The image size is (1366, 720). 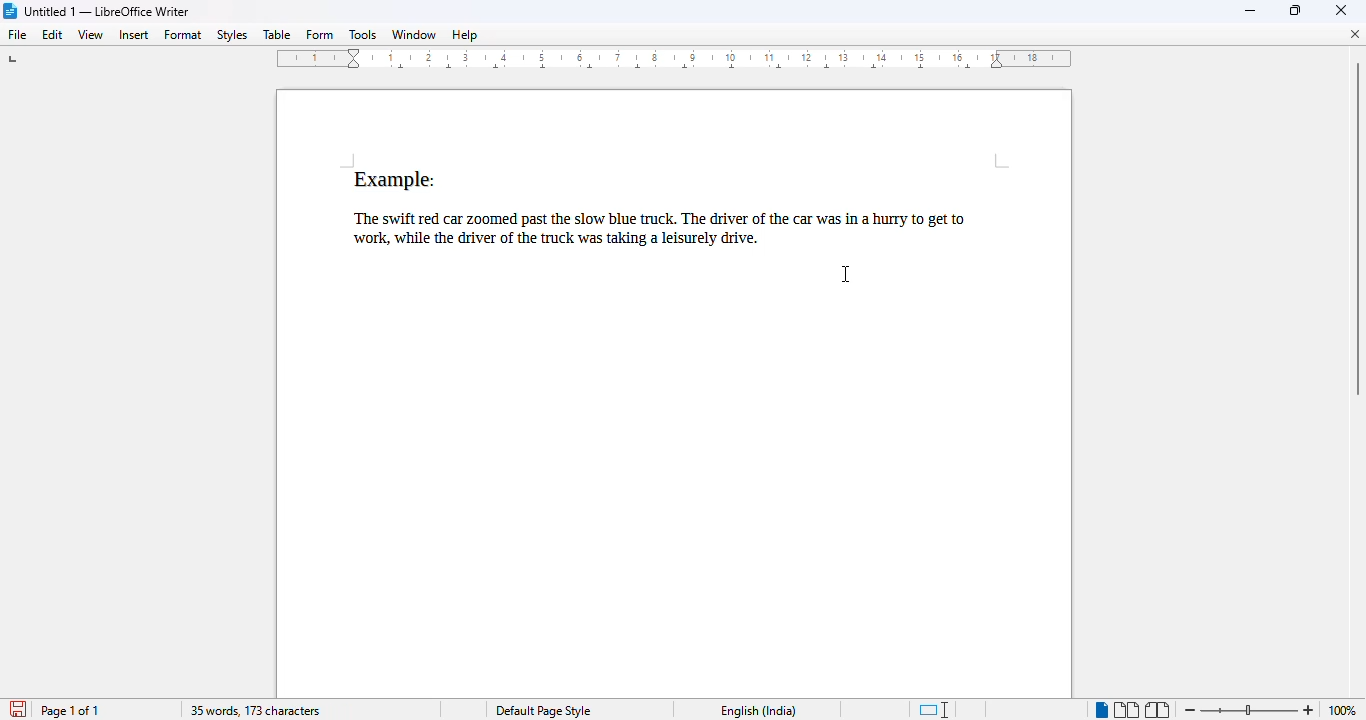 What do you see at coordinates (675, 226) in the screenshot?
I see ` The swift red car zoomed past the slow blue truck. The driver of the car was in a hurry to get to work, while the driver of the truck was taking a leisurely drive.` at bounding box center [675, 226].